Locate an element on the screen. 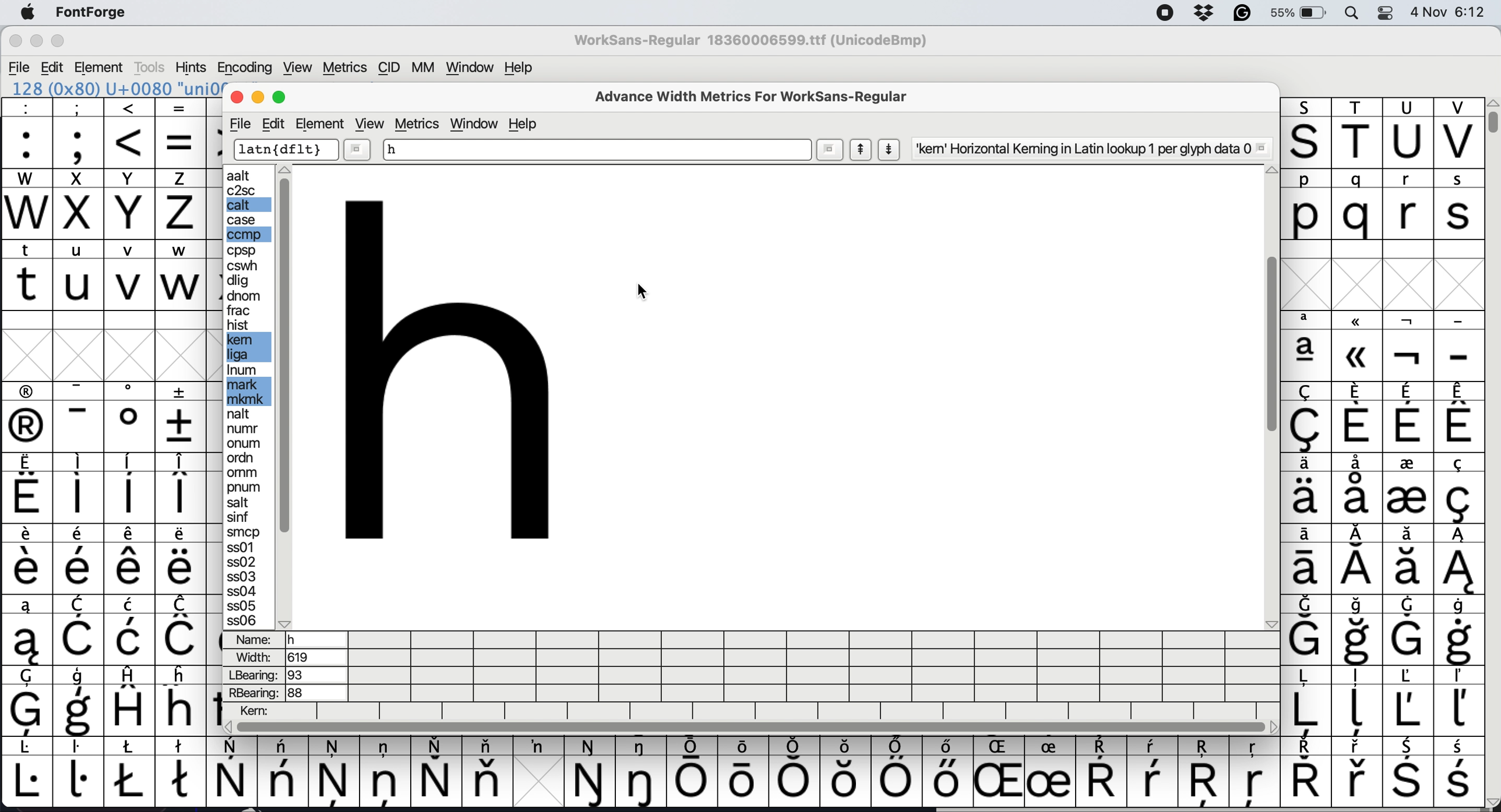 This screenshot has height=812, width=1501. width is located at coordinates (271, 658).